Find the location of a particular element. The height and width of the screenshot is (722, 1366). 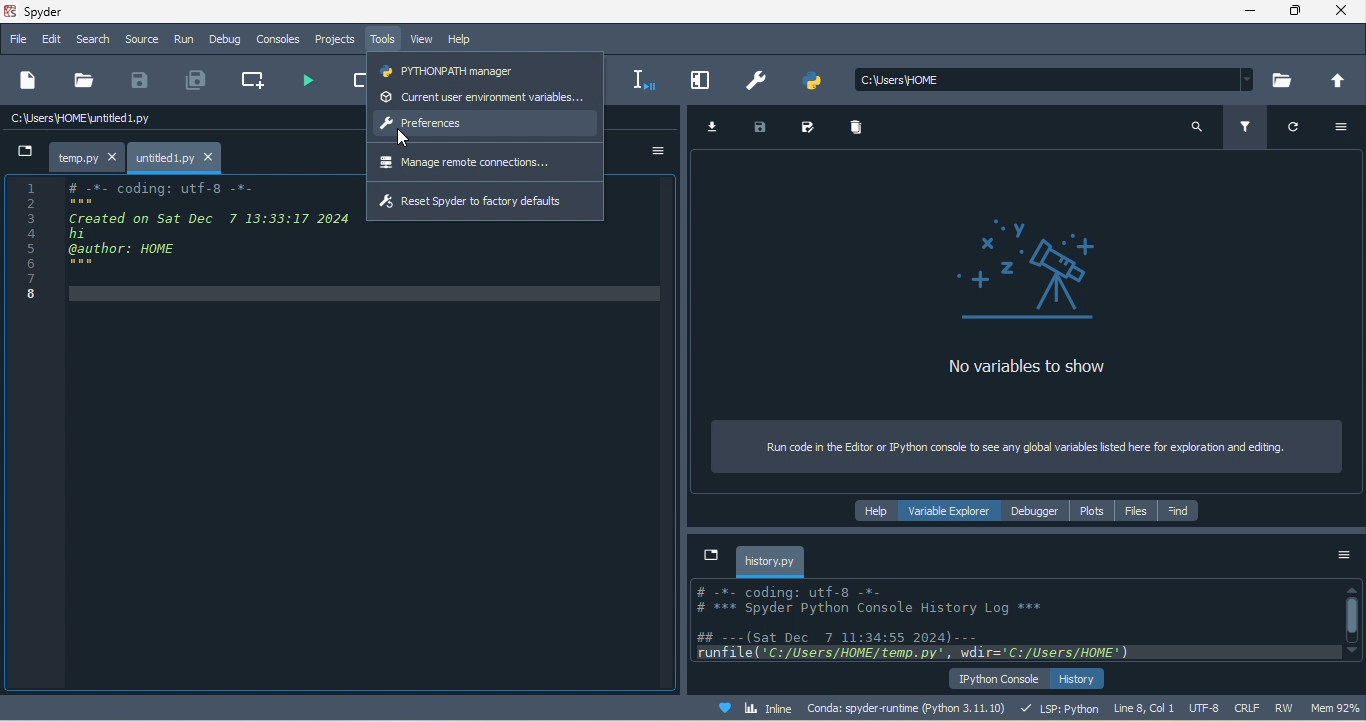

option is located at coordinates (1343, 561).